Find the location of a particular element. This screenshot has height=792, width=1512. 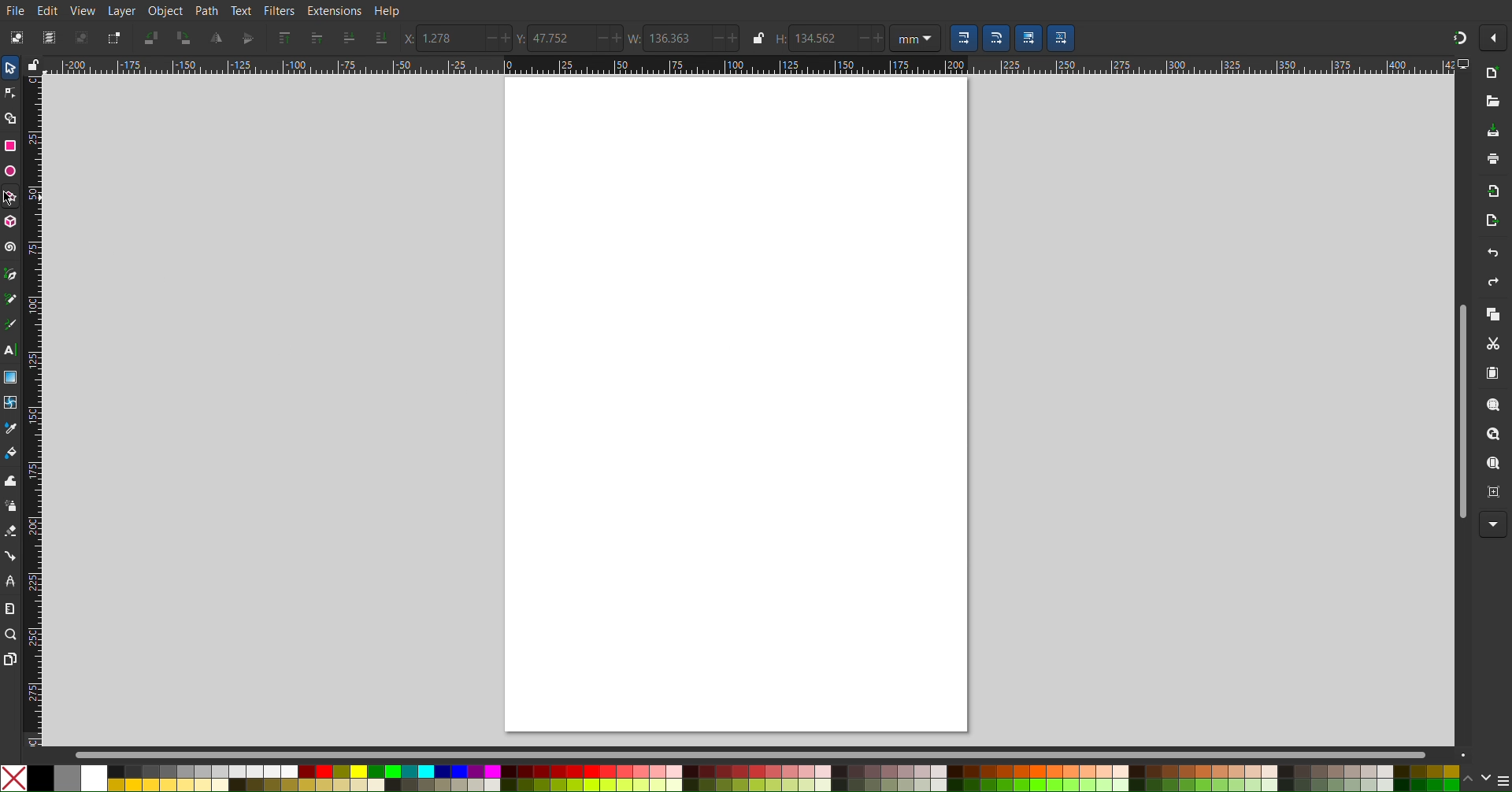

Fill Color is located at coordinates (11, 455).